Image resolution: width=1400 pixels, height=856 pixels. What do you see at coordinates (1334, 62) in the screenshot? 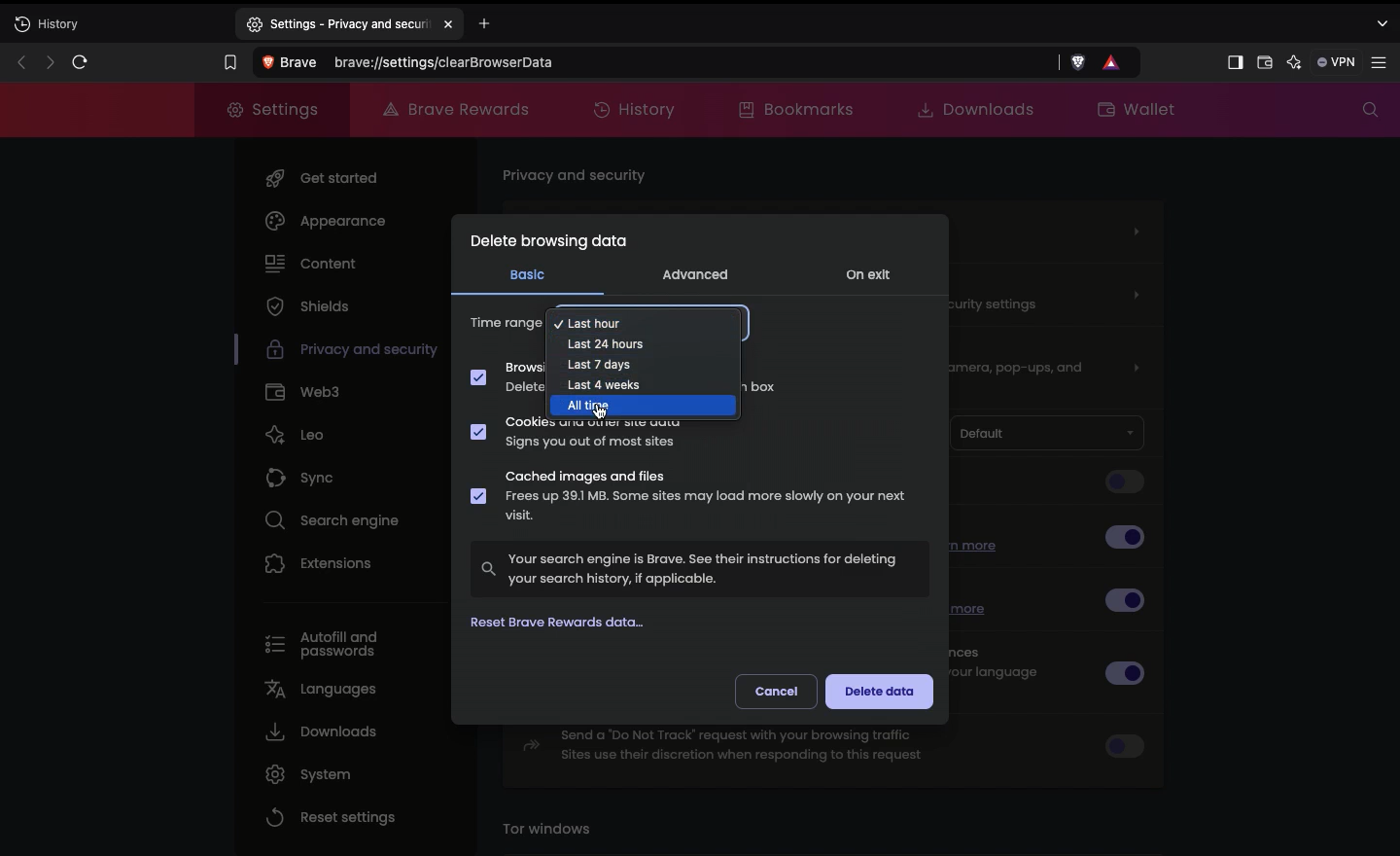
I see `VPN` at bounding box center [1334, 62].